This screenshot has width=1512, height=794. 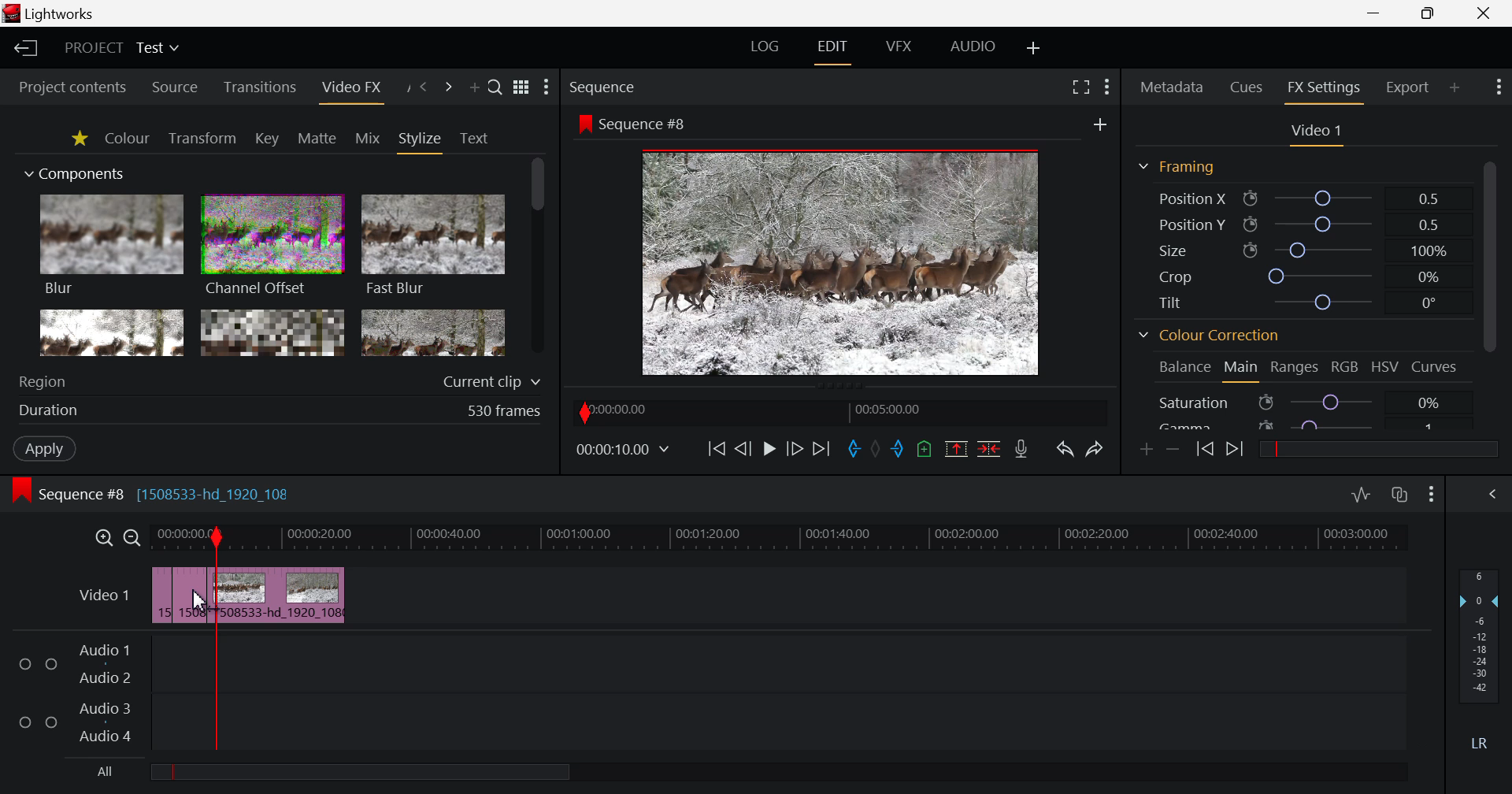 I want to click on Frame Time, so click(x=623, y=449).